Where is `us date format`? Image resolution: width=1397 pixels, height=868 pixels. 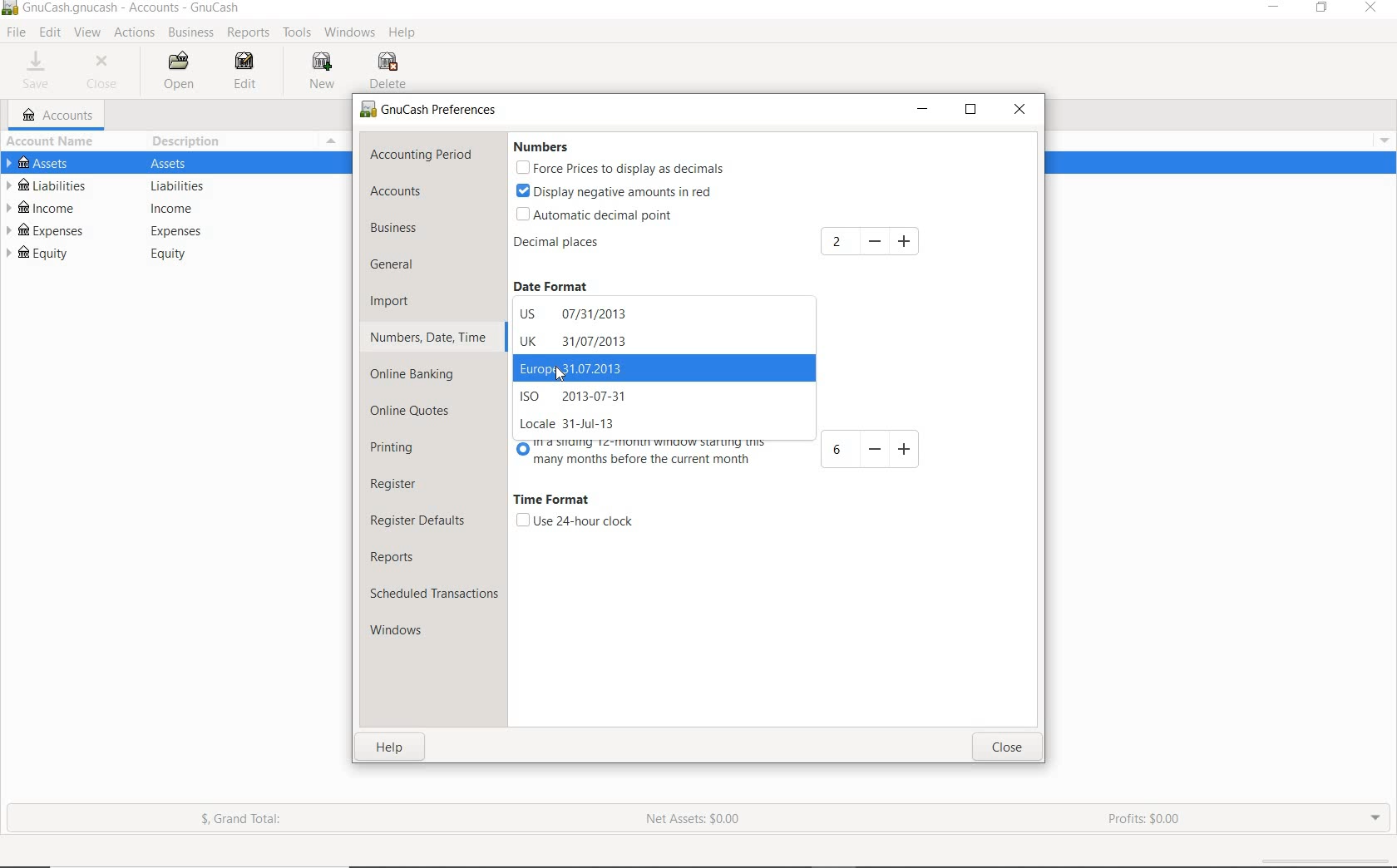
us date format is located at coordinates (584, 313).